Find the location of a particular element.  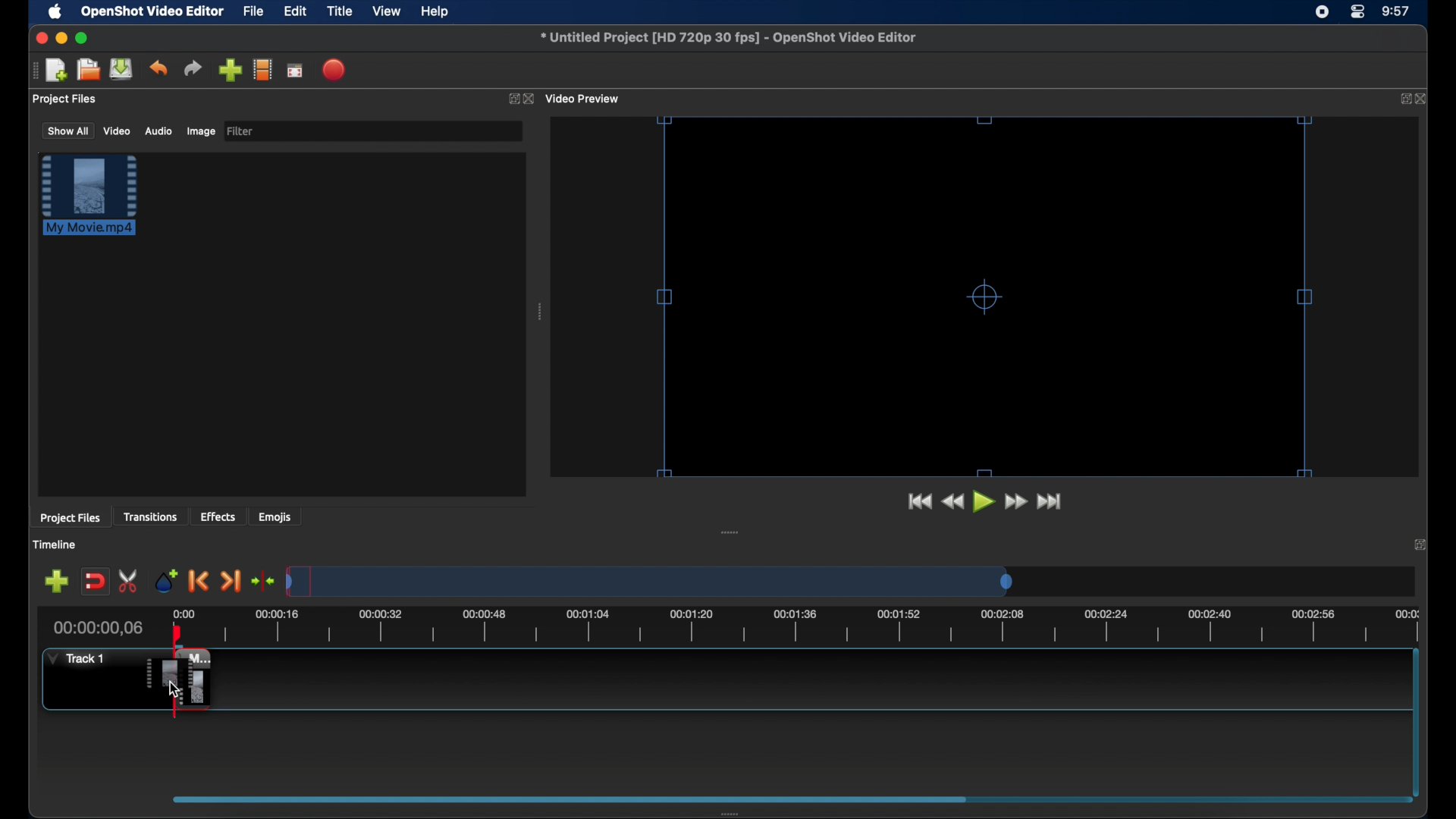

expand is located at coordinates (1423, 544).